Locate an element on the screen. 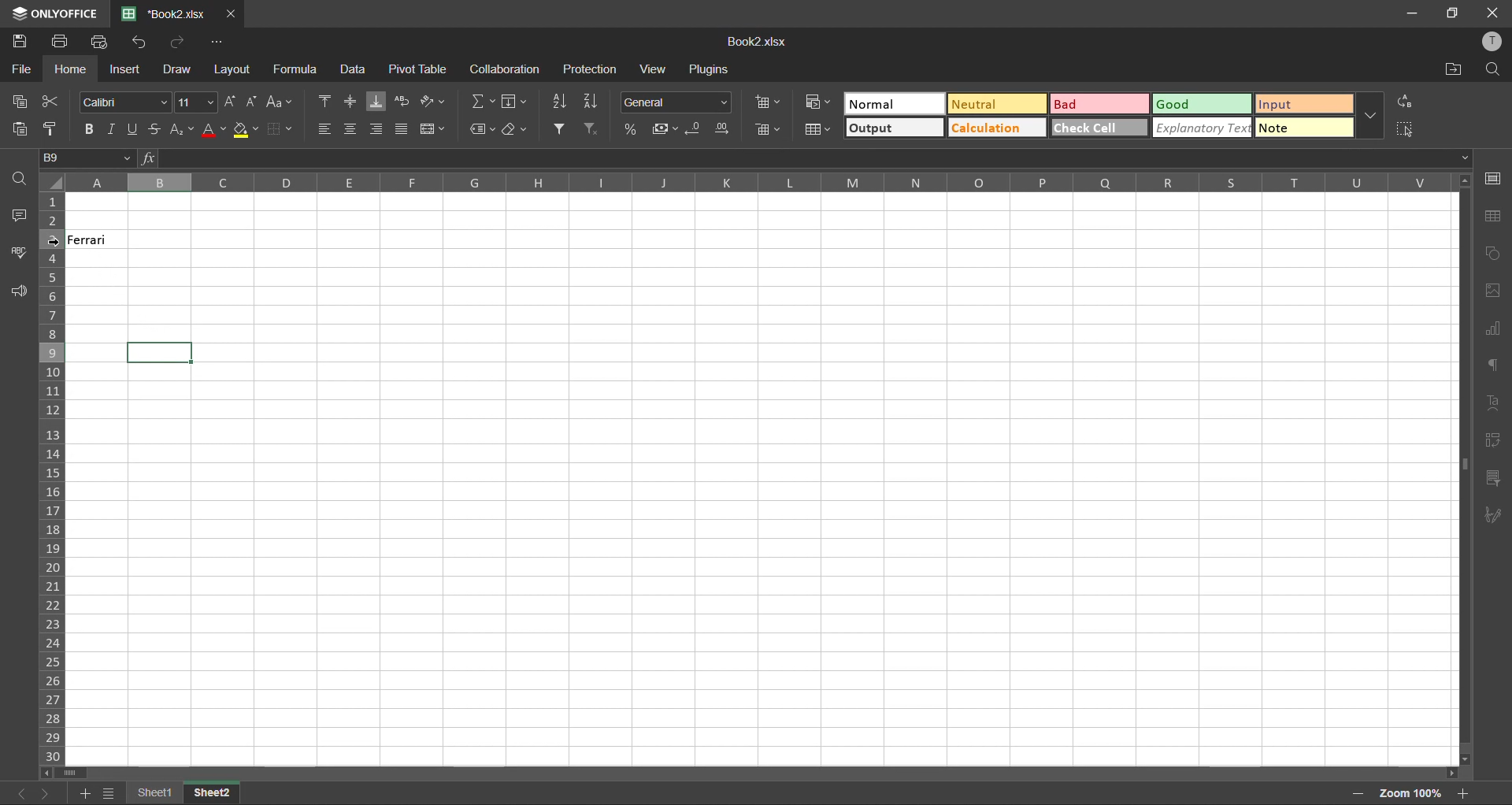 The width and height of the screenshot is (1512, 805). font size is located at coordinates (196, 101).